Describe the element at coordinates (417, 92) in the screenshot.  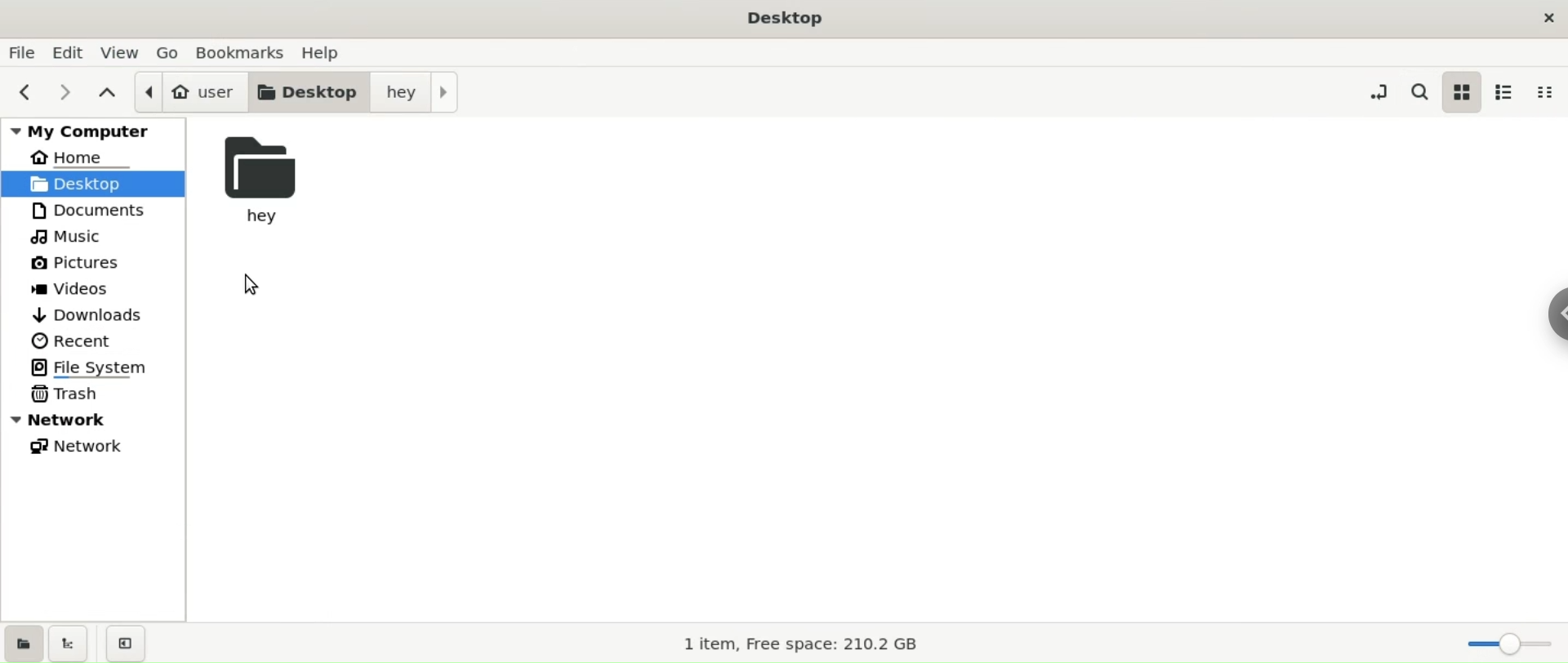
I see `hey` at that location.